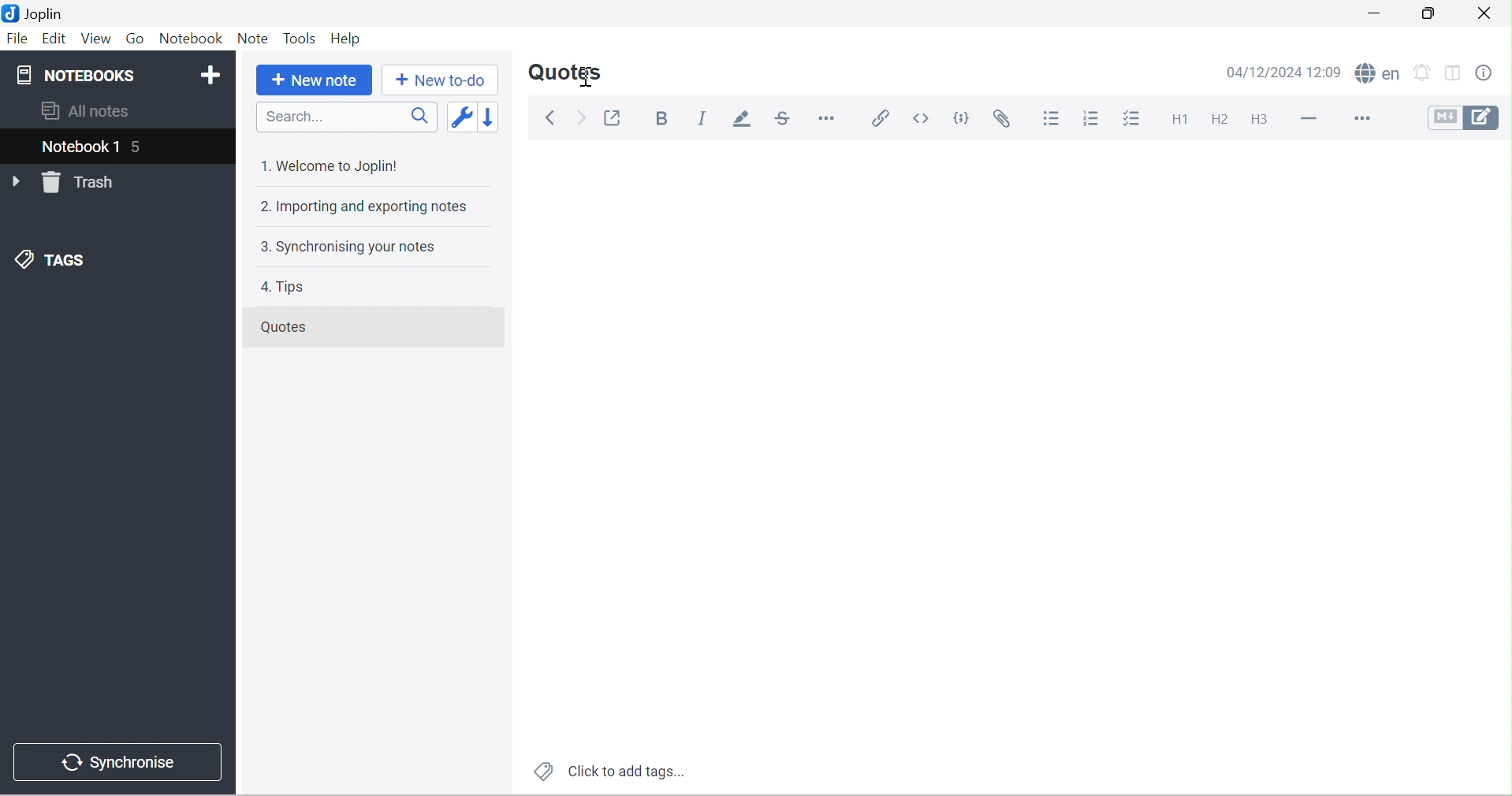  What do you see at coordinates (77, 146) in the screenshot?
I see `Notebook 1` at bounding box center [77, 146].